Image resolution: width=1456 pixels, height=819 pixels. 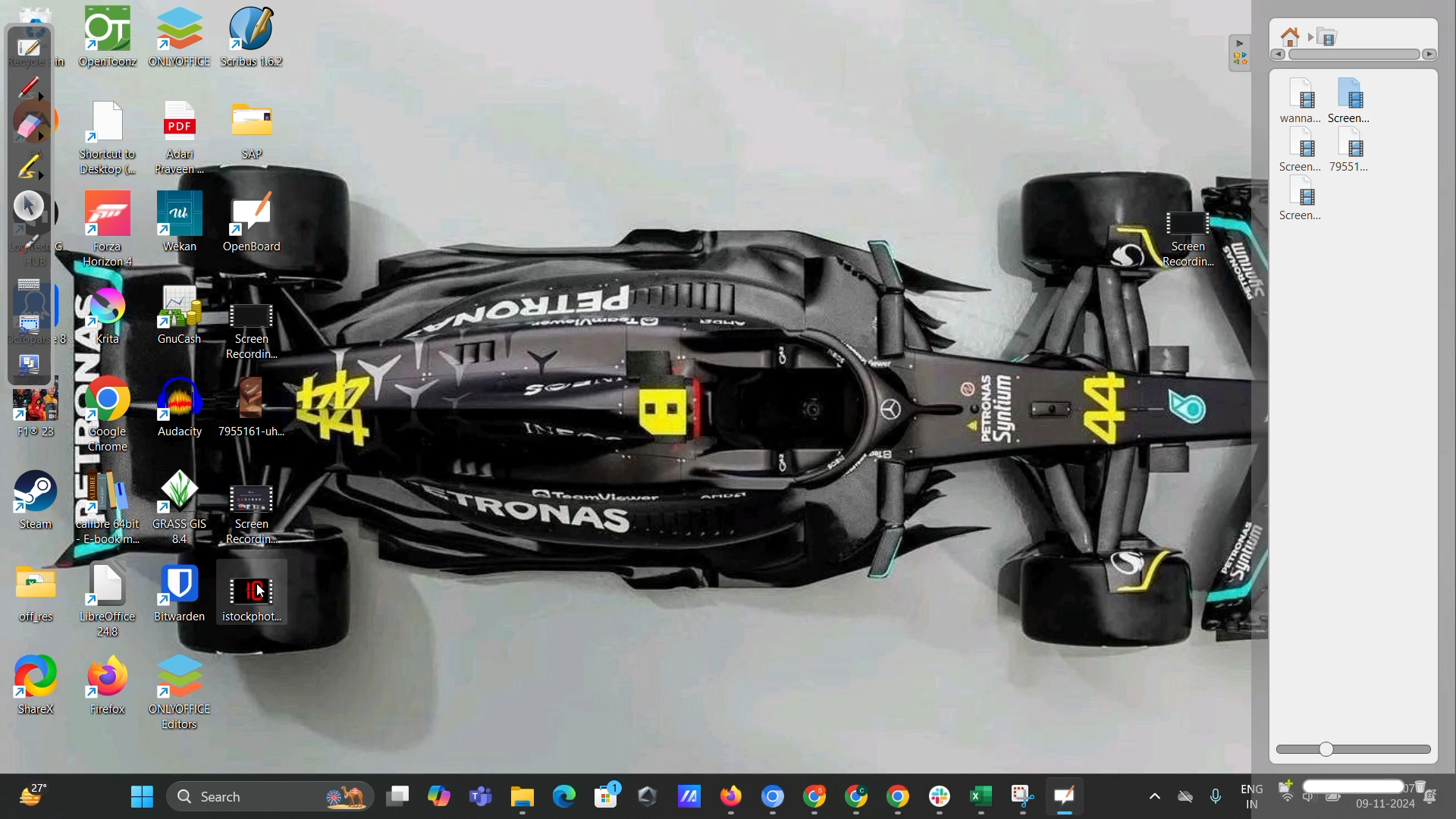 What do you see at coordinates (253, 221) in the screenshot?
I see `OpenBoard` at bounding box center [253, 221].